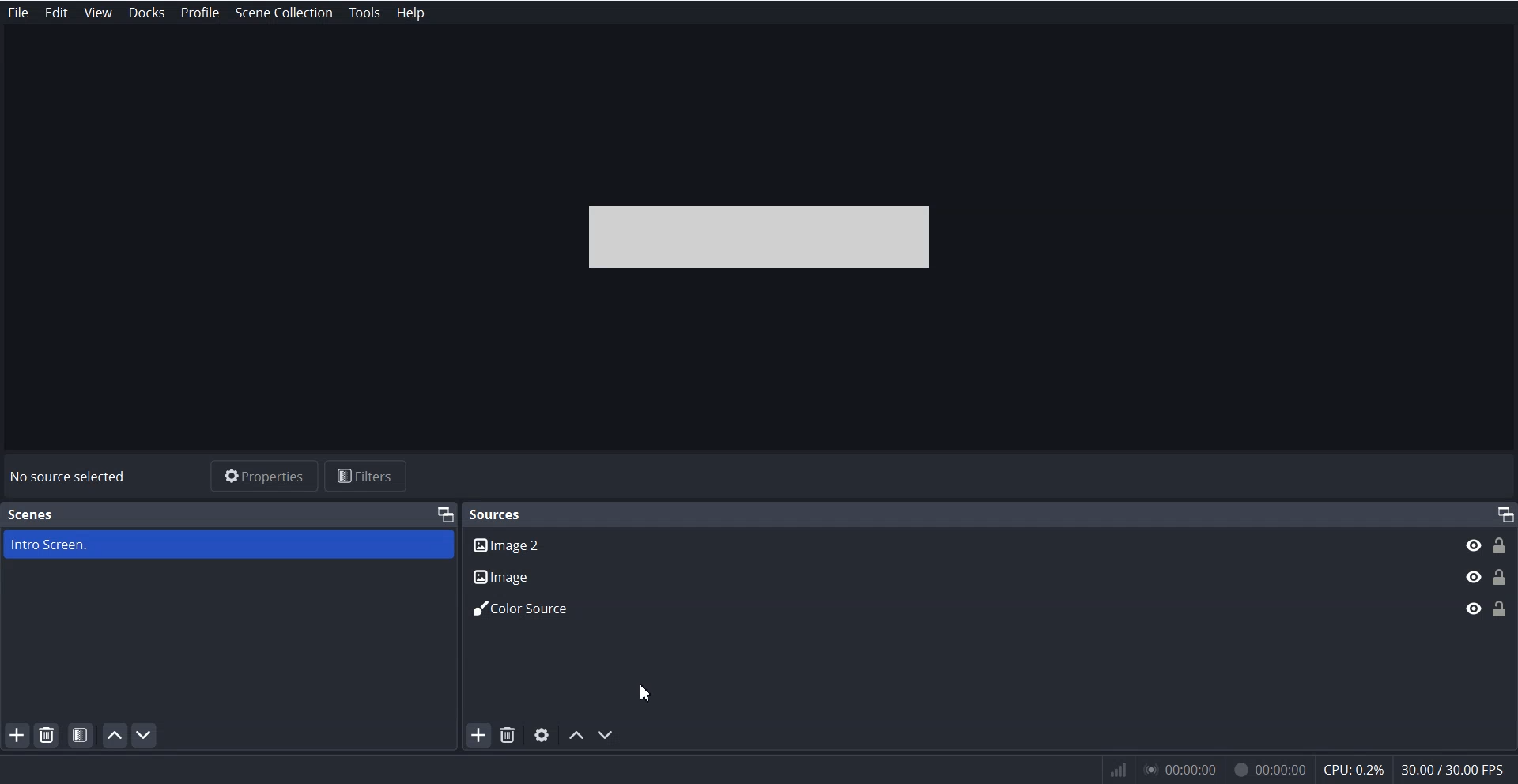 Image resolution: width=1518 pixels, height=784 pixels. What do you see at coordinates (1180, 770) in the screenshot?
I see `00:00:00` at bounding box center [1180, 770].